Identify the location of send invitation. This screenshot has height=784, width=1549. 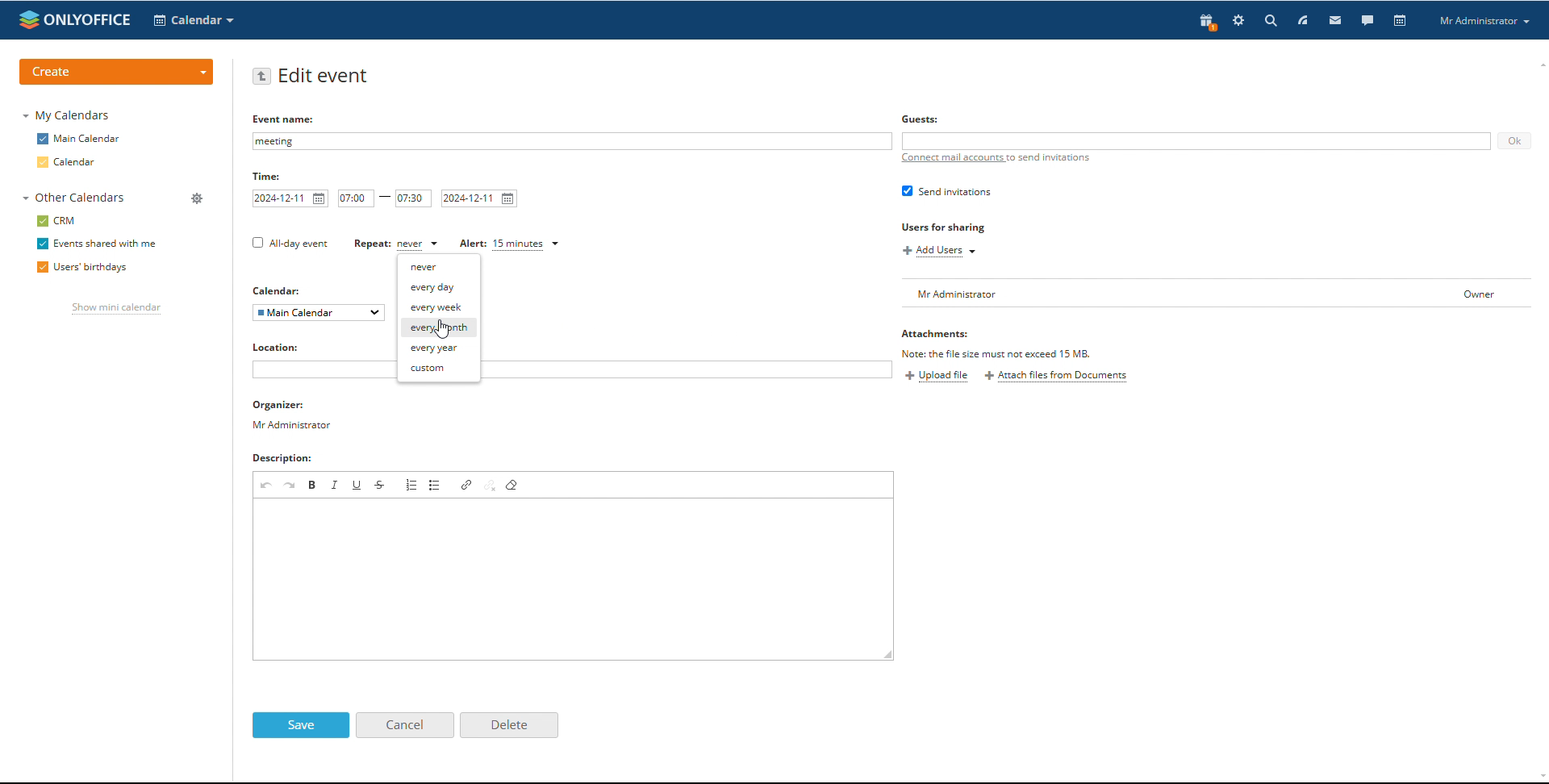
(946, 190).